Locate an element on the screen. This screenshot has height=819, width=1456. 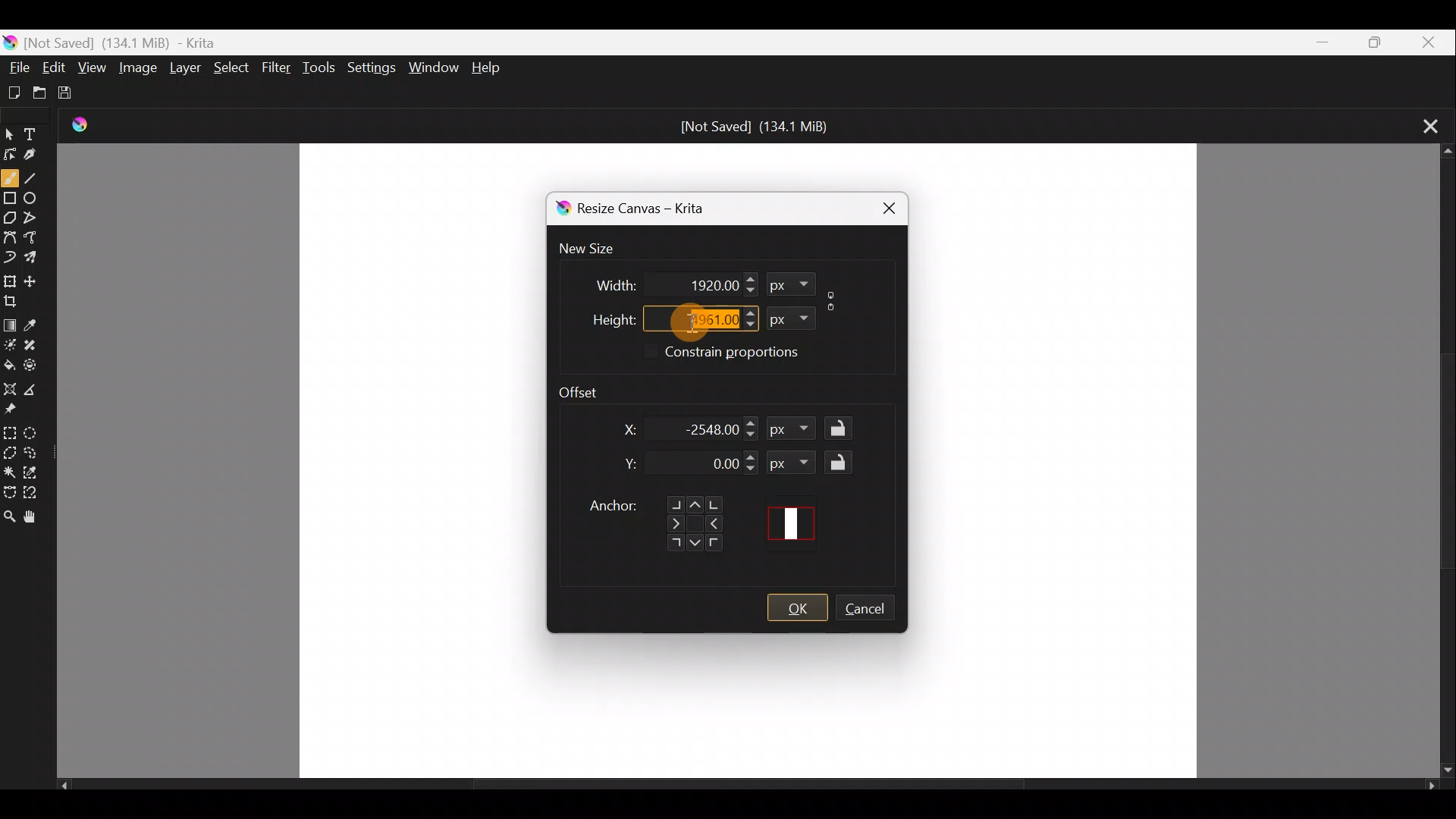
Fill a contiguous area of colour with colour/fill a selection is located at coordinates (9, 363).